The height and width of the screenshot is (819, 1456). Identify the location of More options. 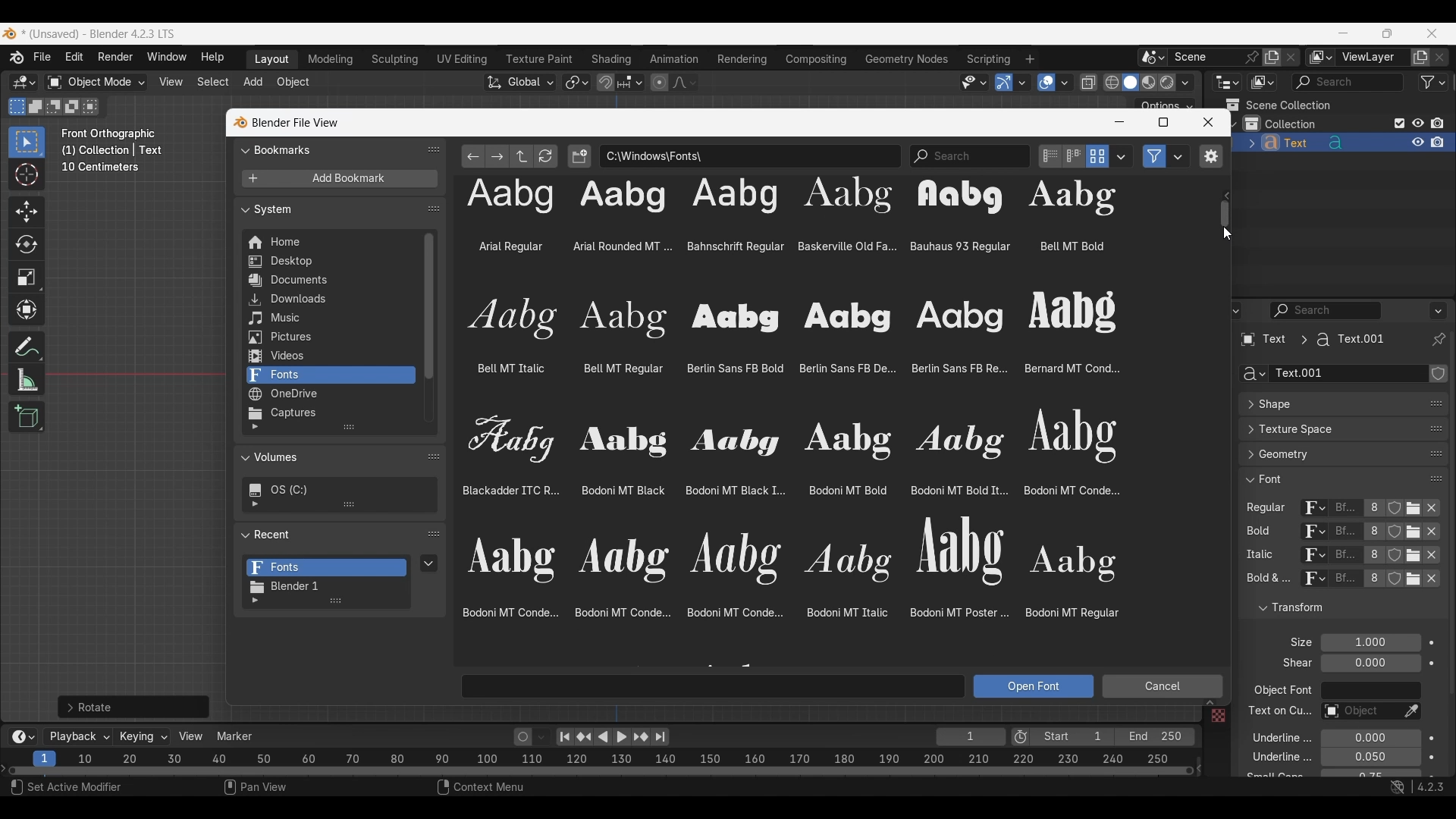
(21, 737).